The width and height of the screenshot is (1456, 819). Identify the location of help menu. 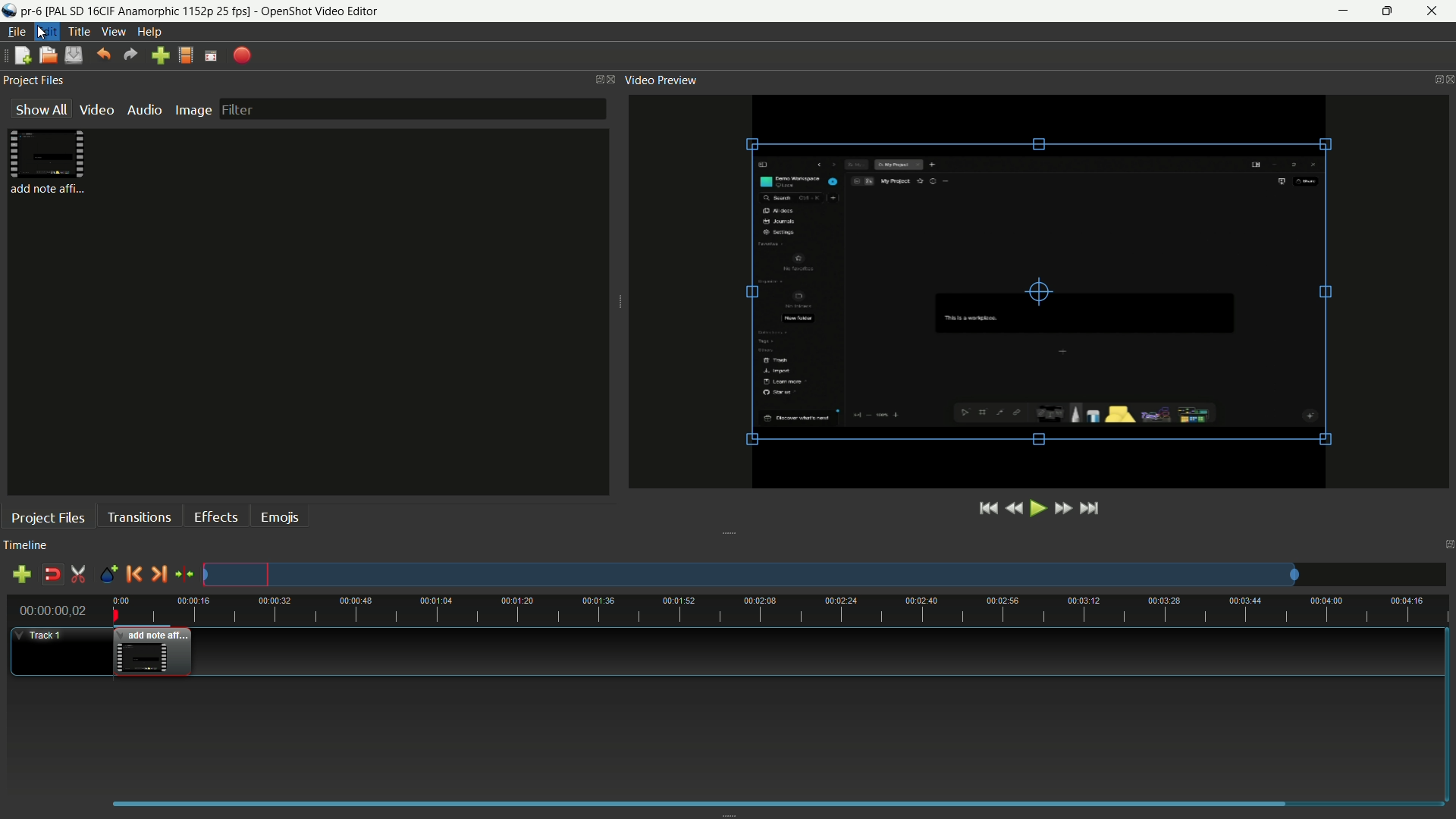
(149, 33).